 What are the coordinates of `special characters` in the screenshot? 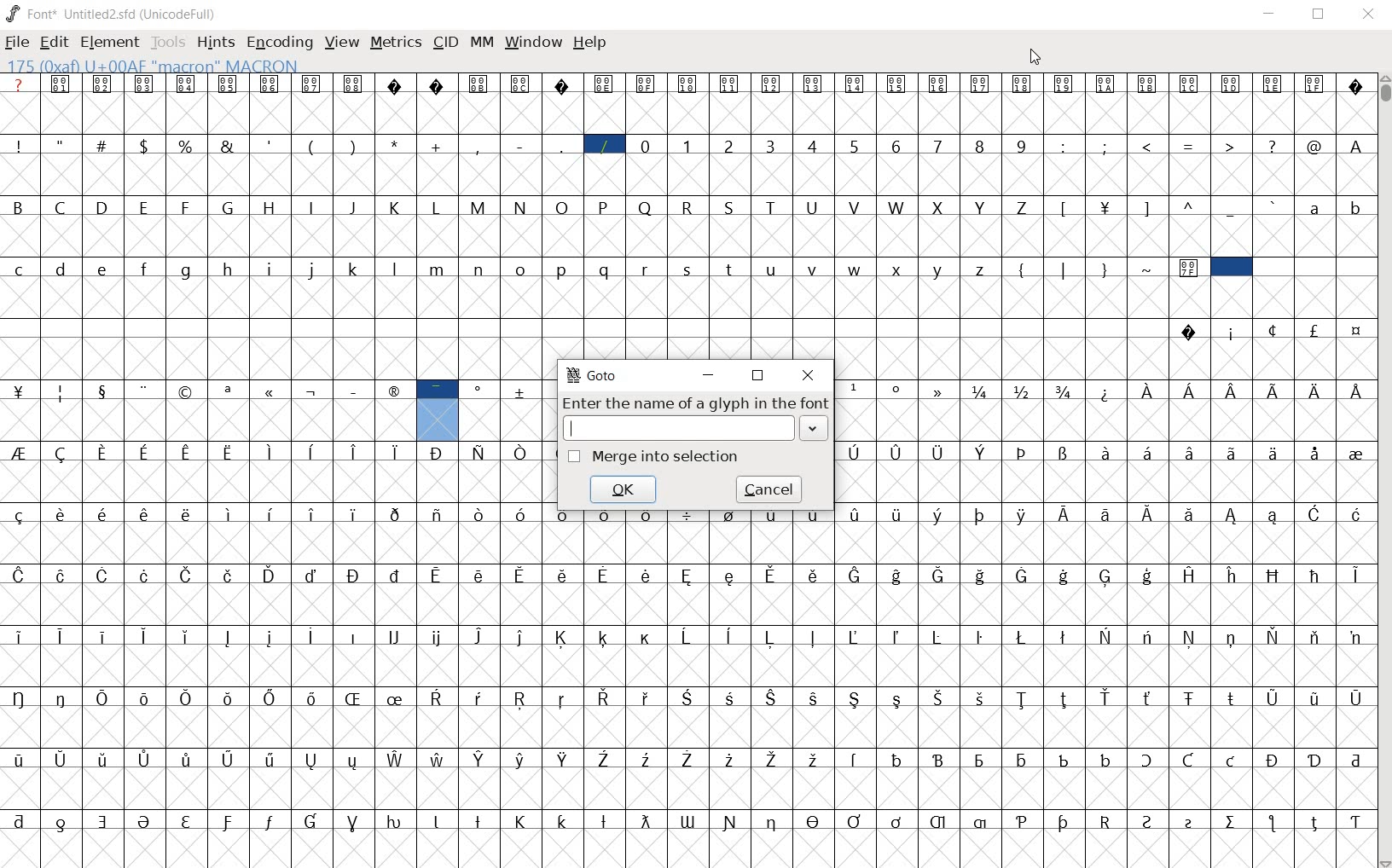 It's located at (19, 565).